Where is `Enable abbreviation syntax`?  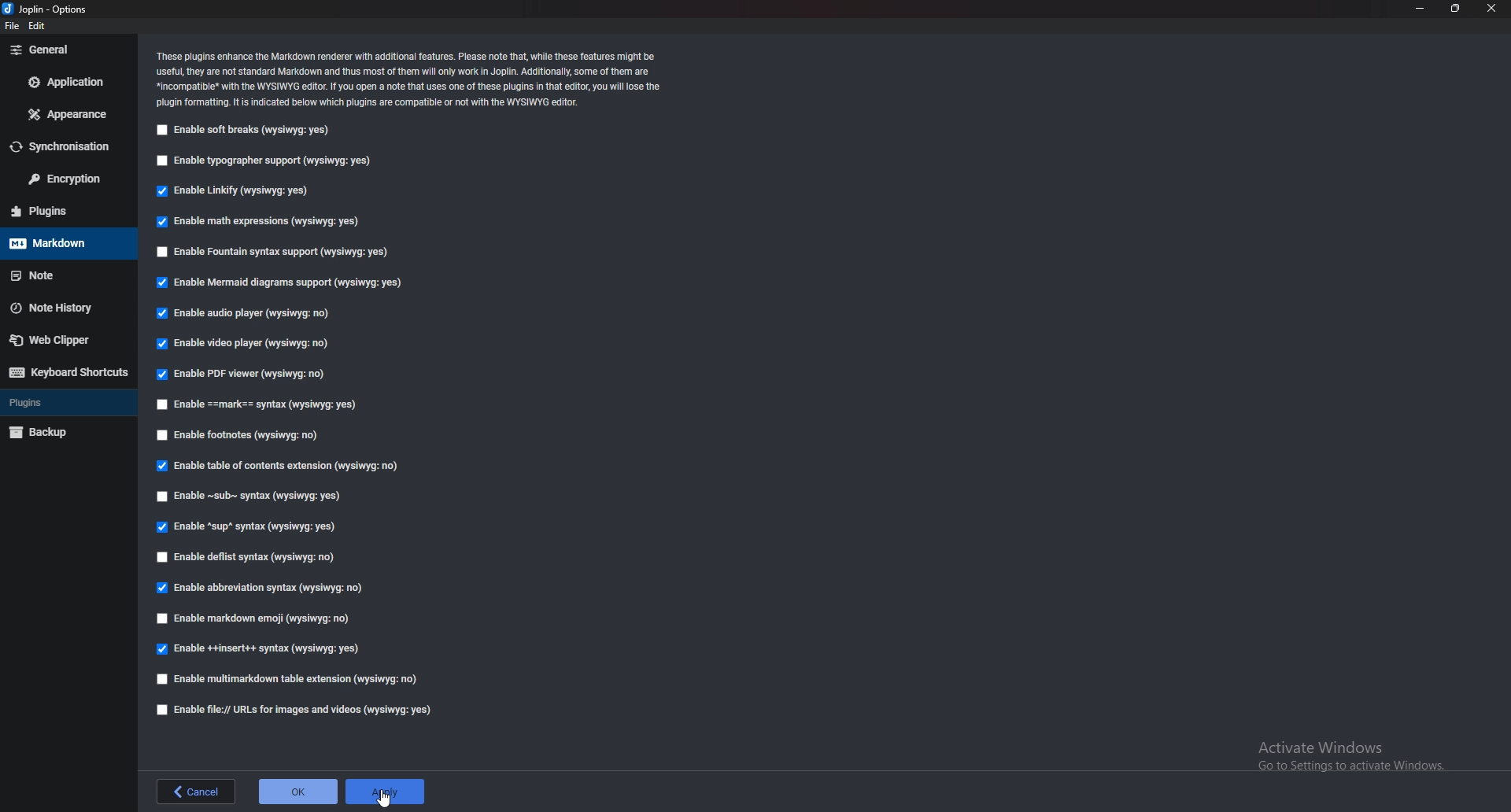 Enable abbreviation syntax is located at coordinates (257, 589).